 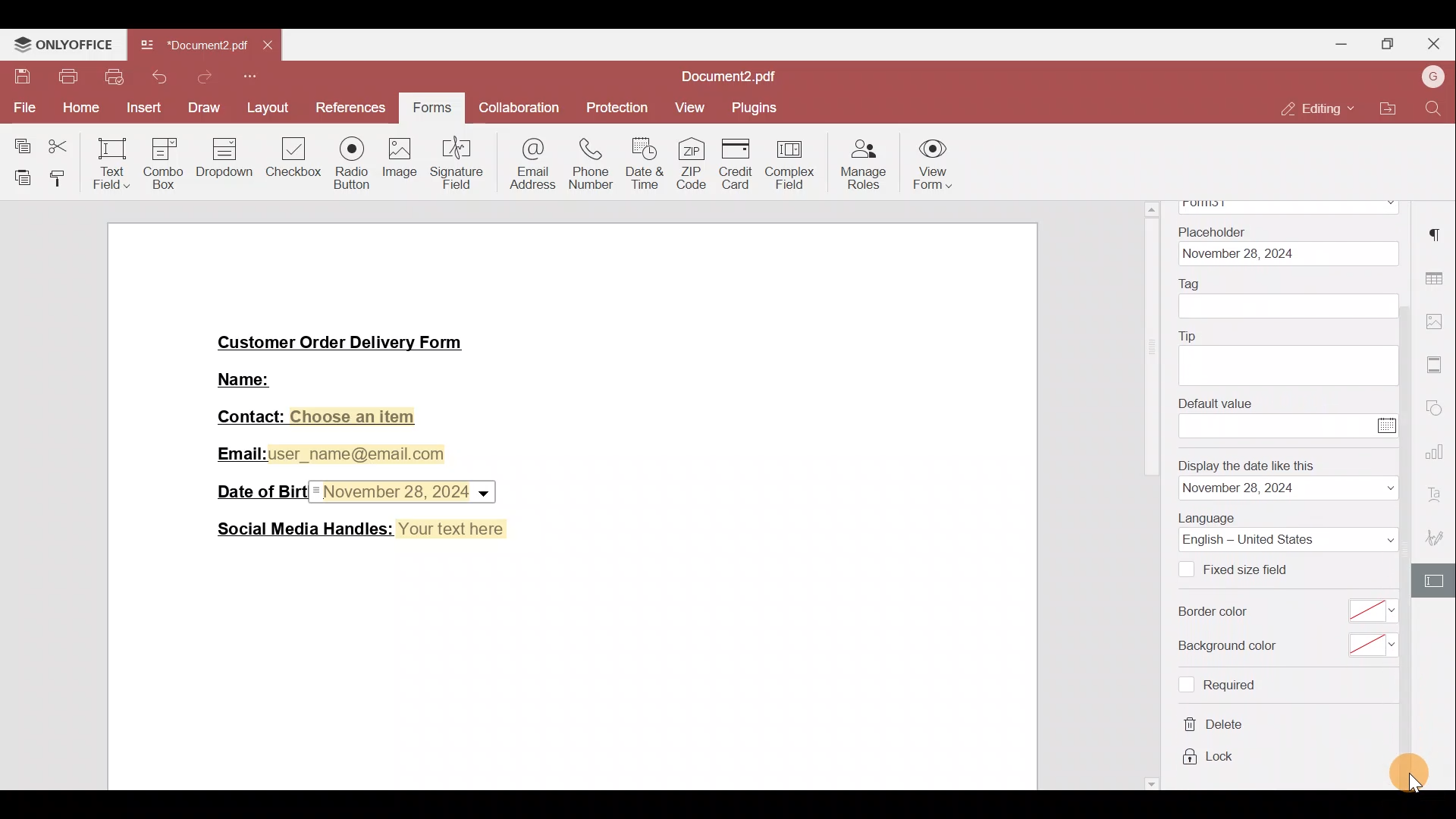 What do you see at coordinates (1259, 570) in the screenshot?
I see `Fixed size field` at bounding box center [1259, 570].